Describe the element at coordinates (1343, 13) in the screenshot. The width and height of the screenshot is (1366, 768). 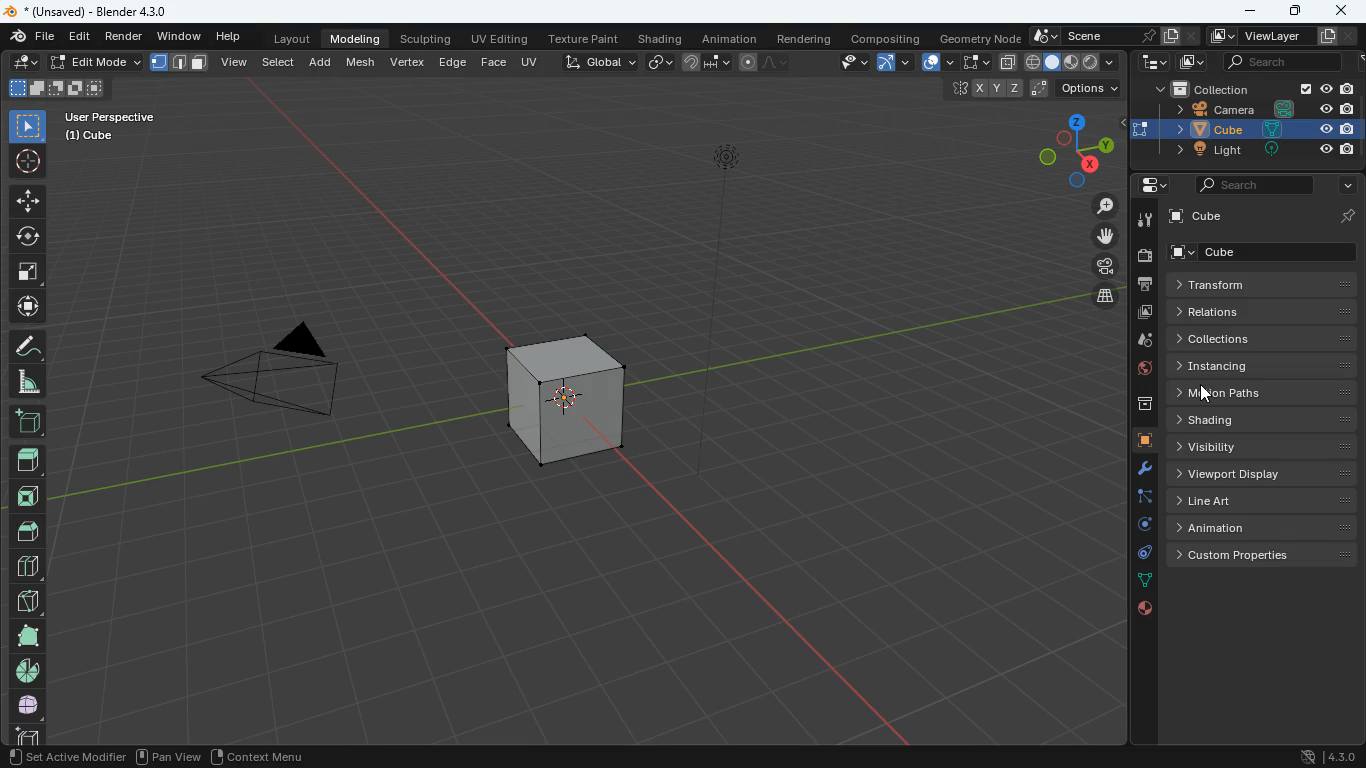
I see `close` at that location.